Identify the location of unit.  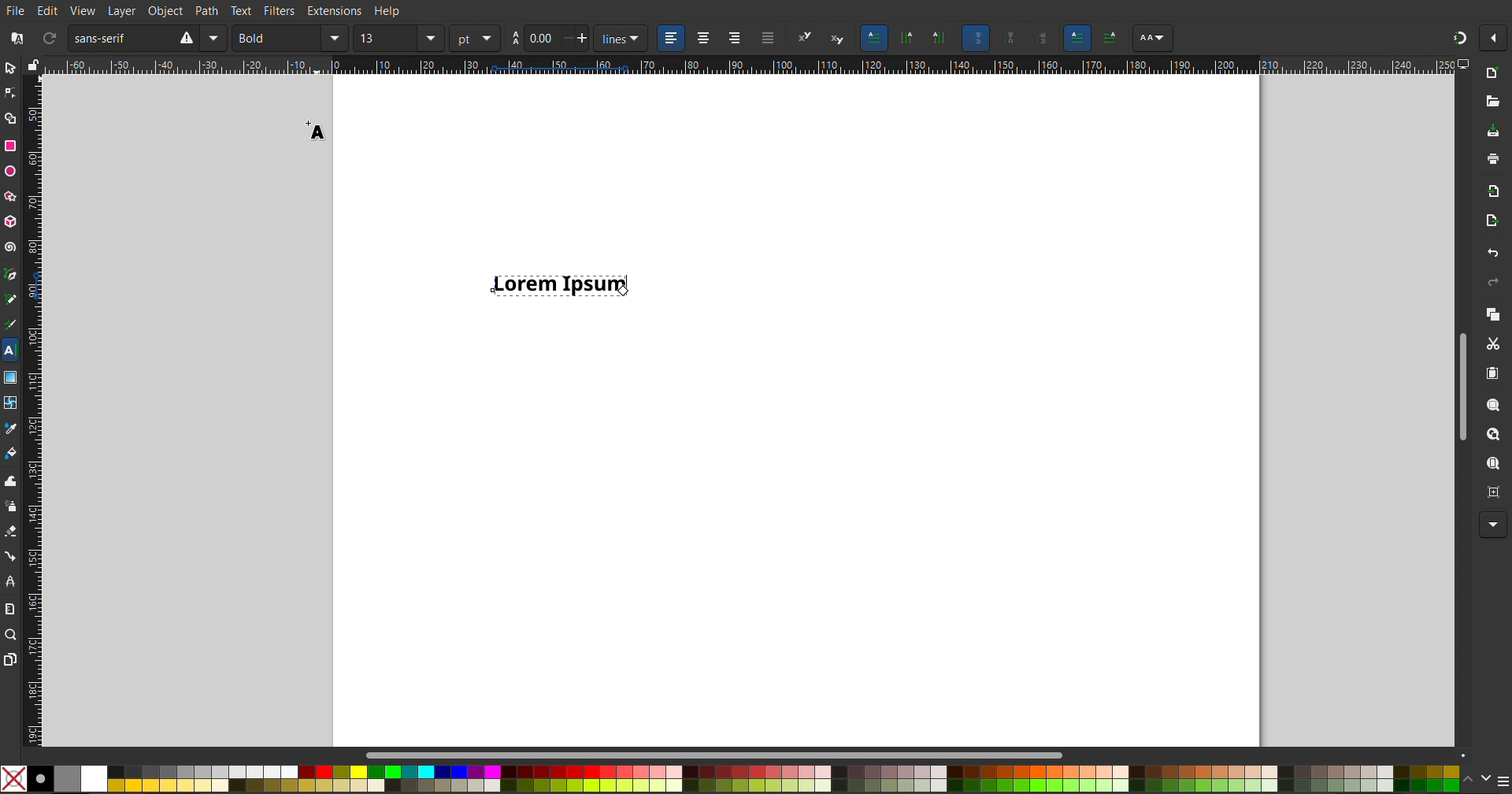
(622, 39).